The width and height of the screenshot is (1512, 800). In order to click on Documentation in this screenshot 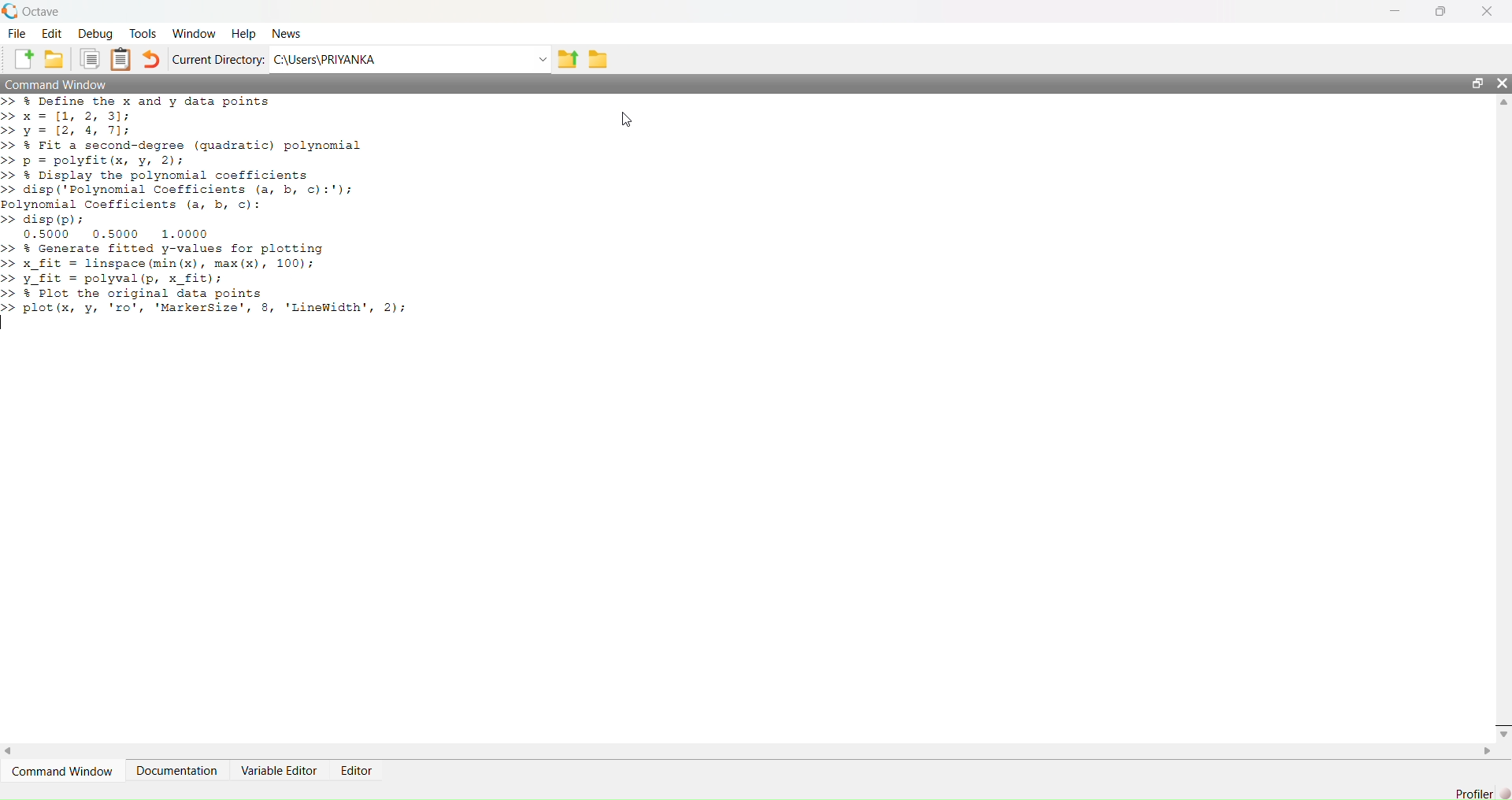, I will do `click(179, 770)`.